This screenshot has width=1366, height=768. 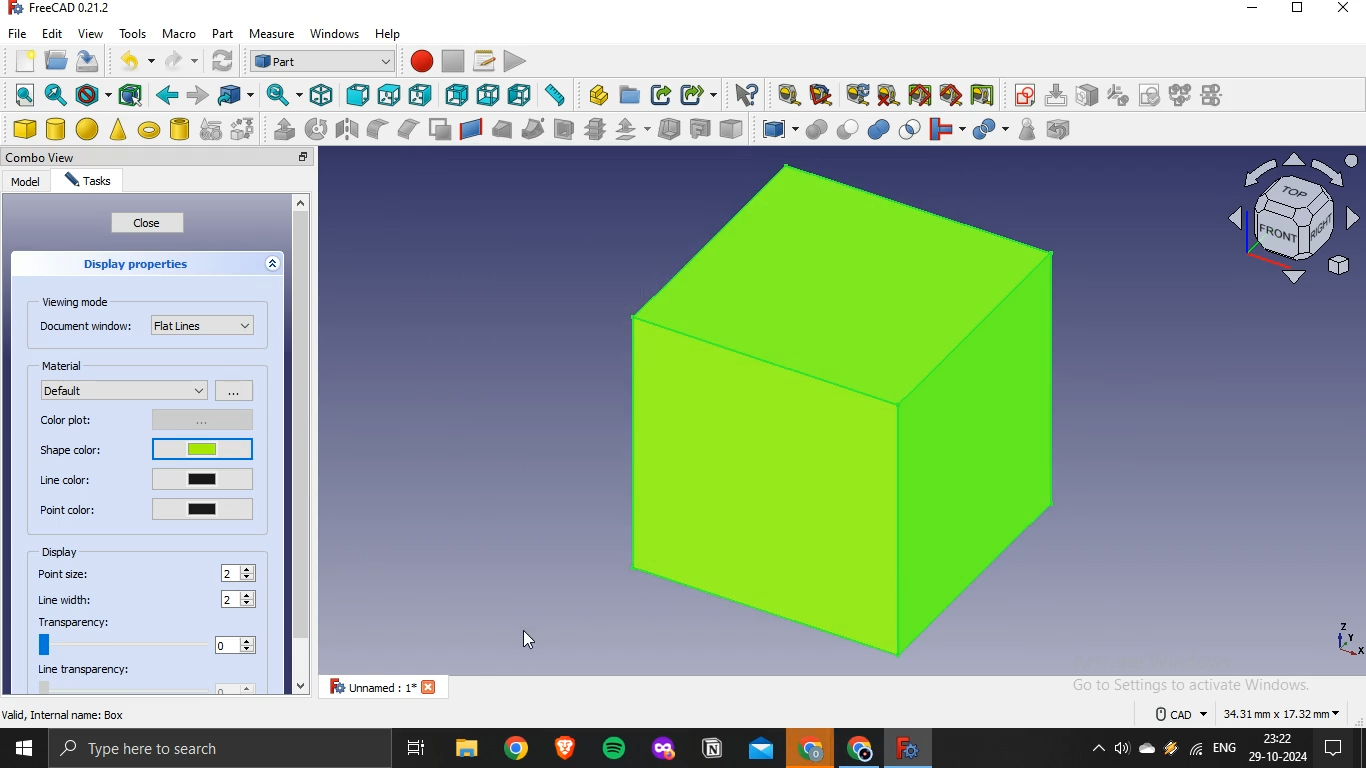 What do you see at coordinates (198, 95) in the screenshot?
I see `forward` at bounding box center [198, 95].